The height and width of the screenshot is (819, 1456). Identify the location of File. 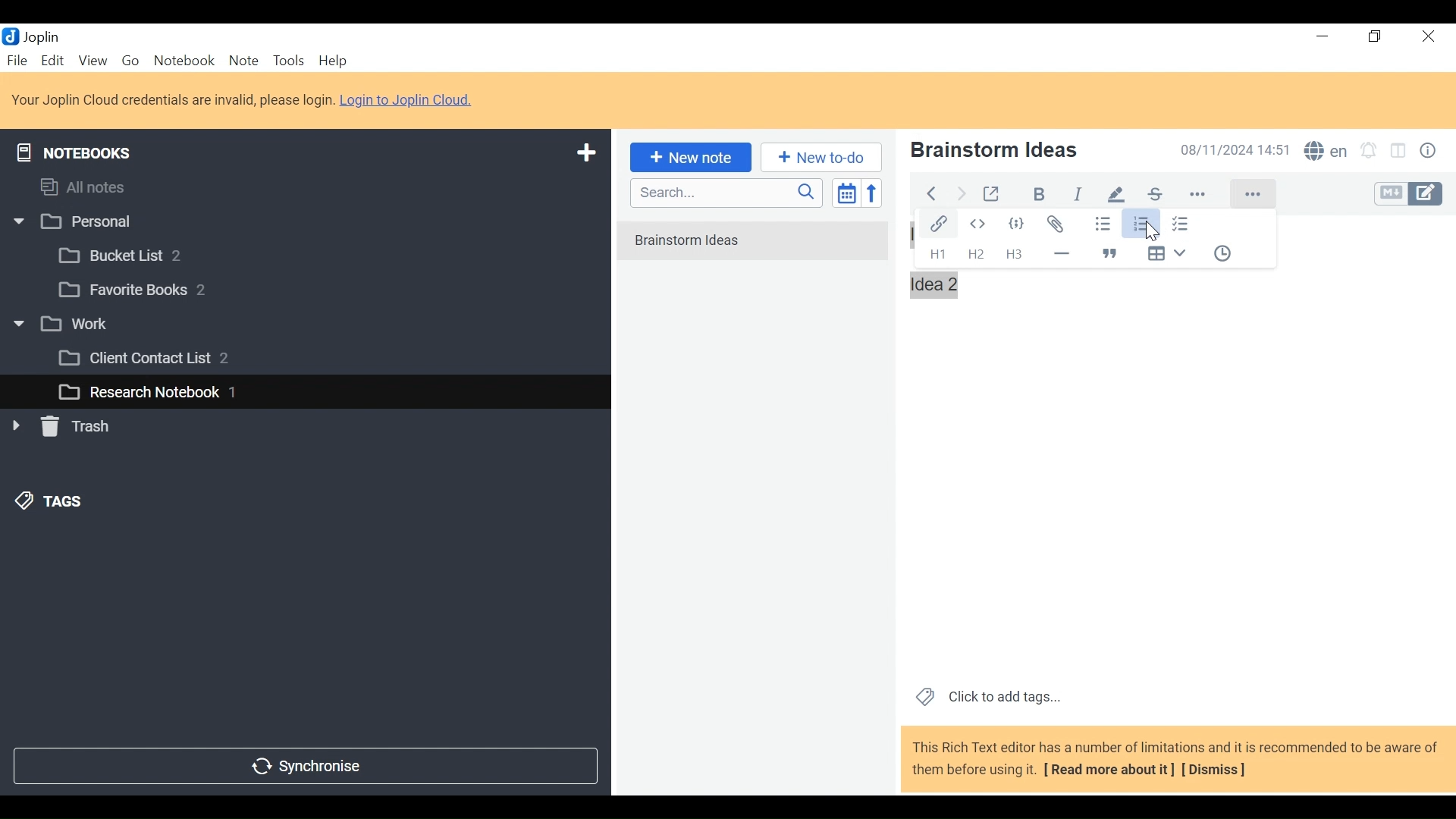
(19, 60).